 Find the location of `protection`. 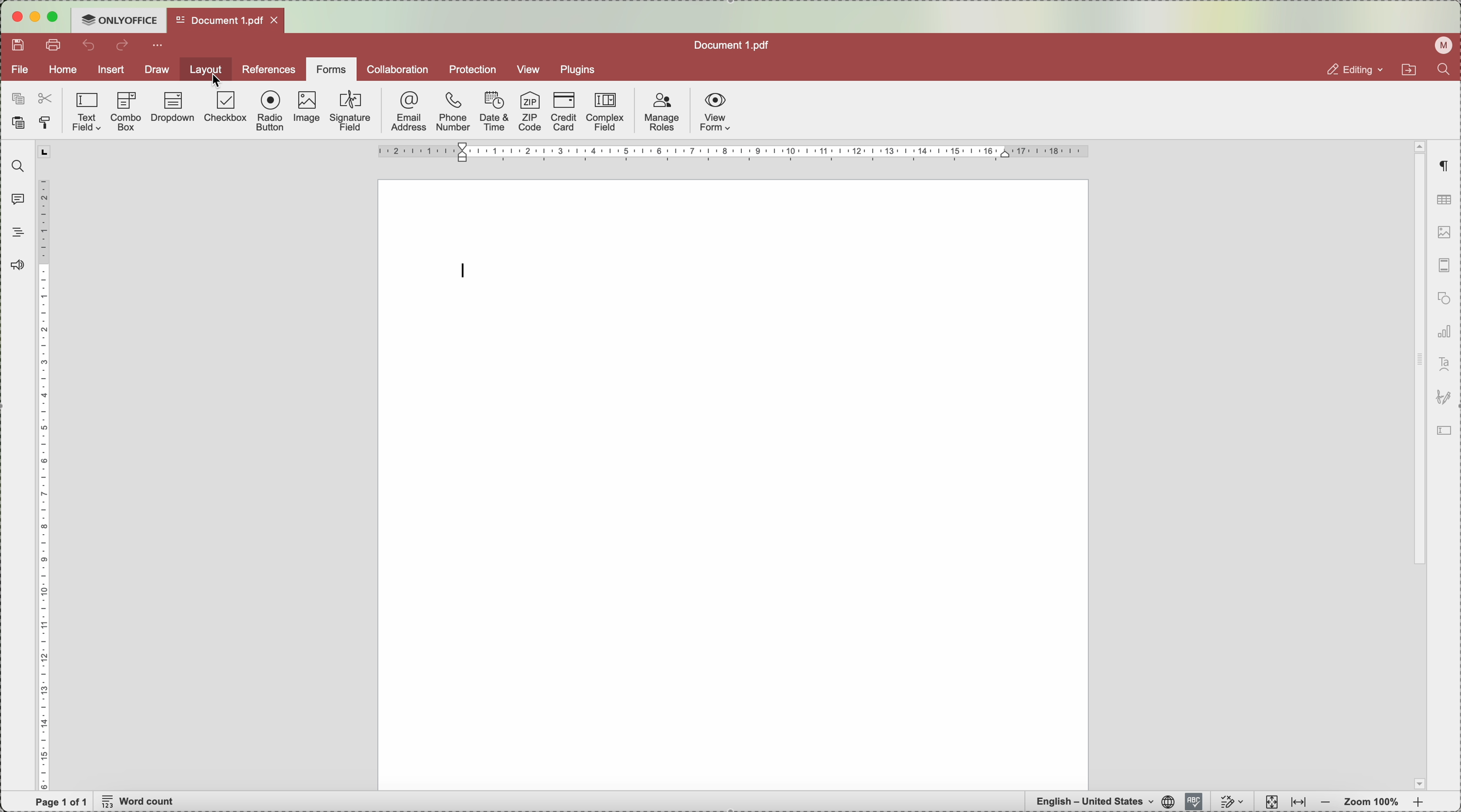

protection is located at coordinates (472, 70).